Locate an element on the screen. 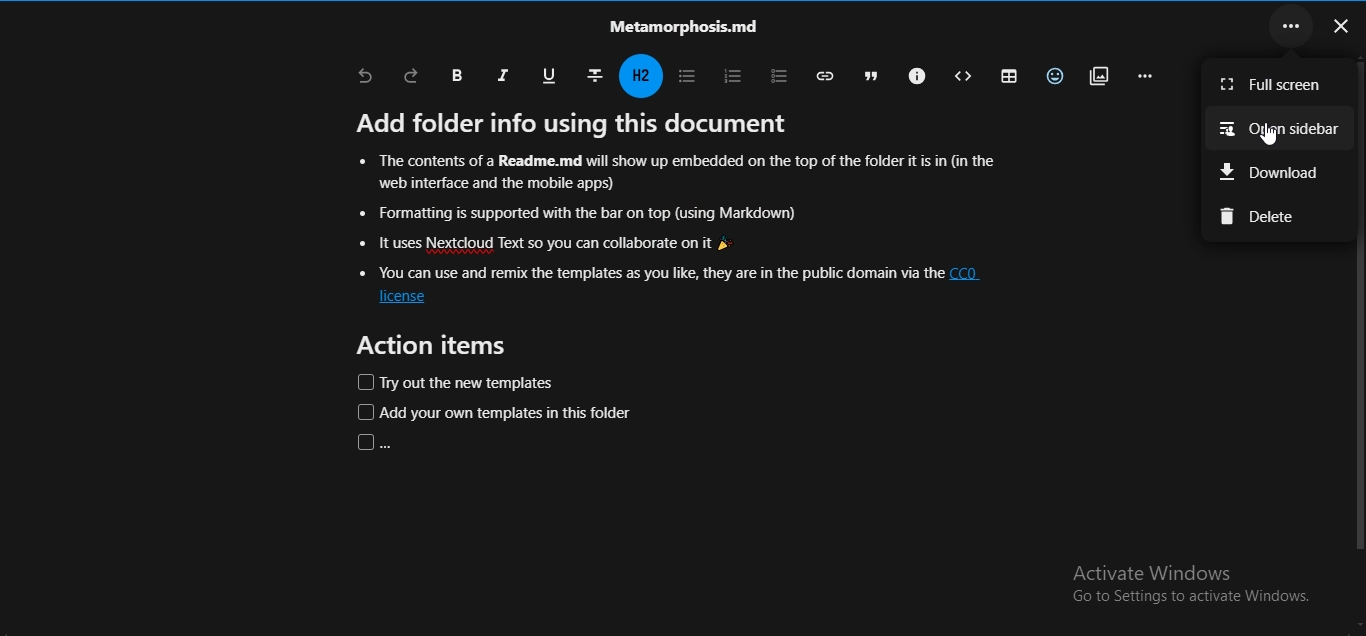 This screenshot has width=1366, height=636. insert emoji is located at coordinates (1056, 76).